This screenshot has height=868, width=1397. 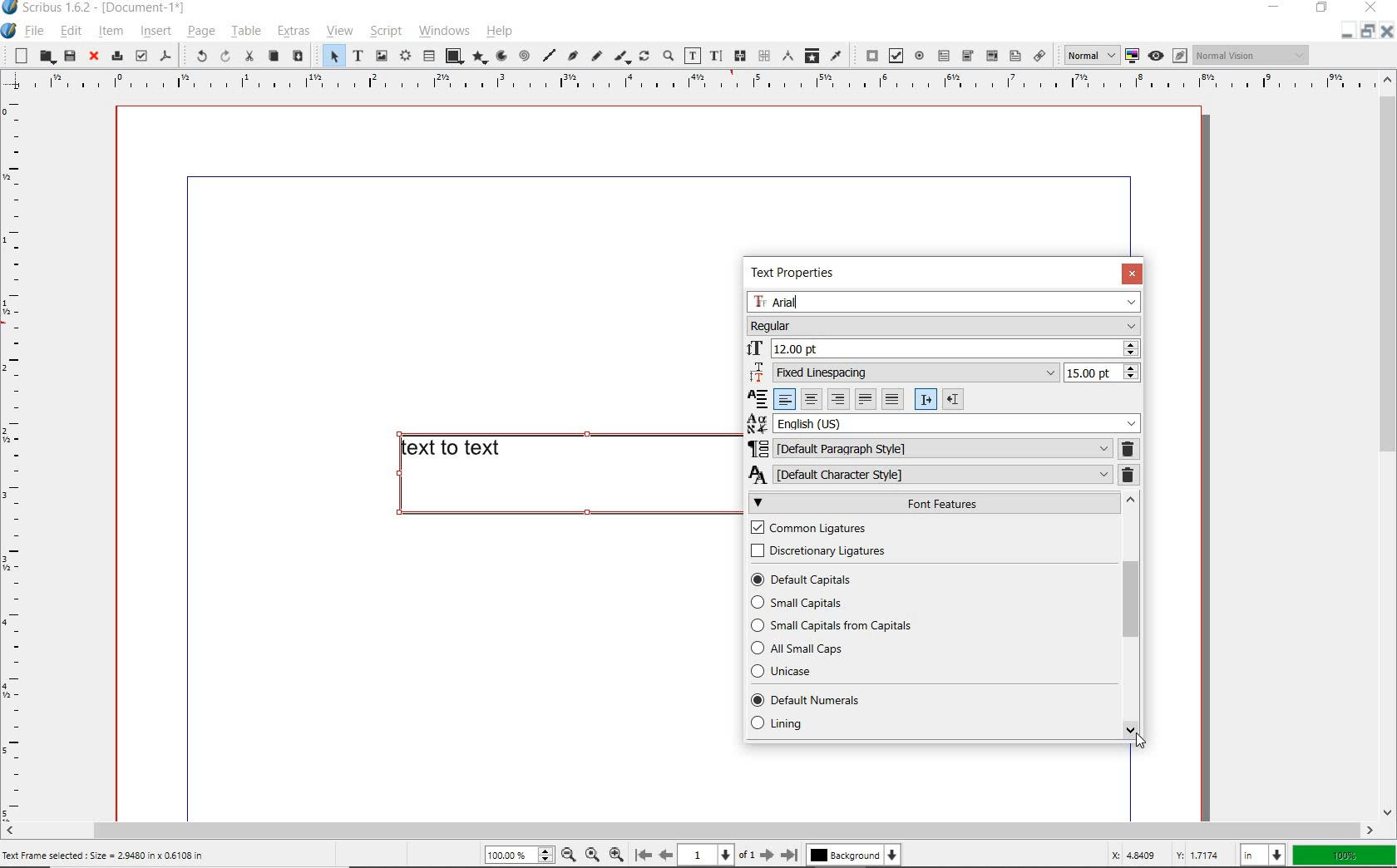 I want to click on Forced justified, so click(x=894, y=398).